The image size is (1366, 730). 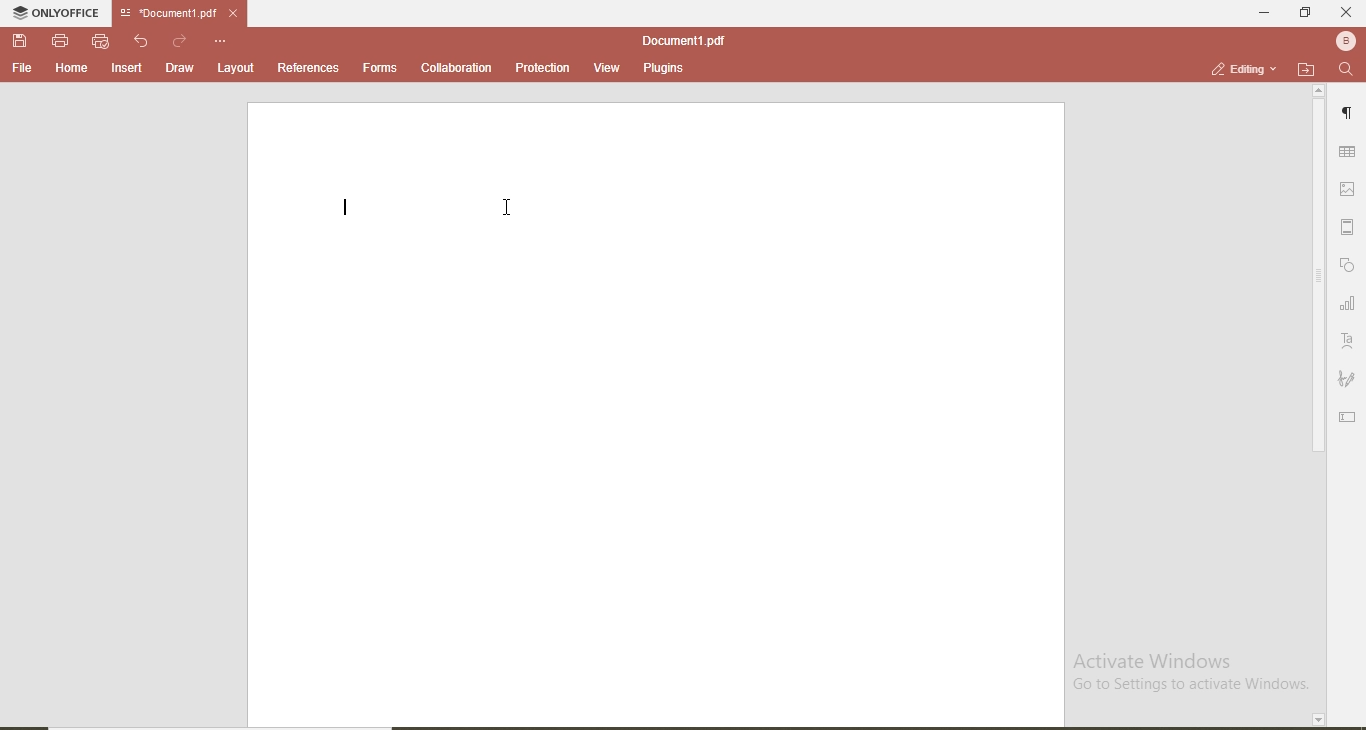 What do you see at coordinates (1349, 381) in the screenshot?
I see `signature` at bounding box center [1349, 381].